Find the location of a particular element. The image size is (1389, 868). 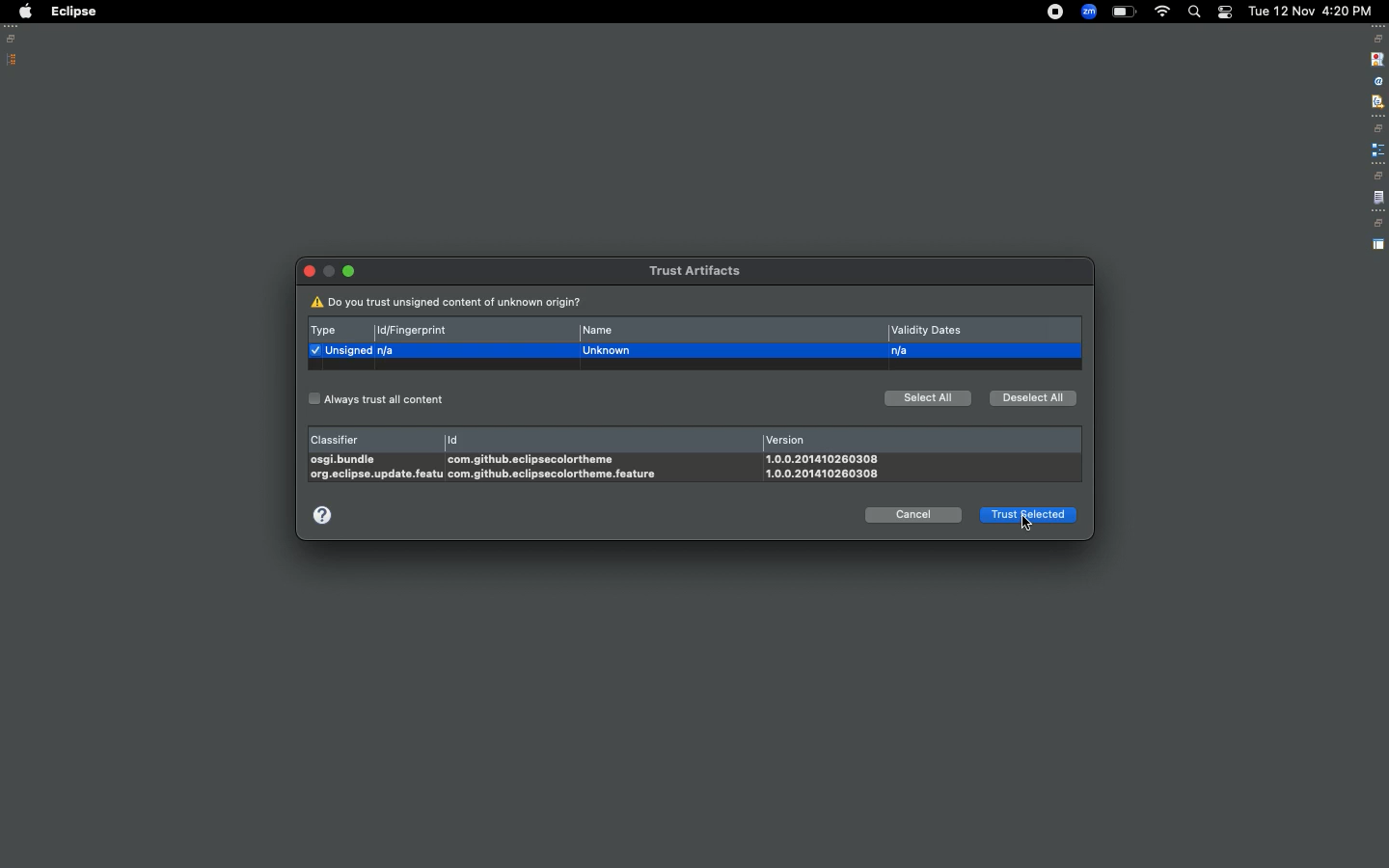

Package explorer is located at coordinates (13, 60).